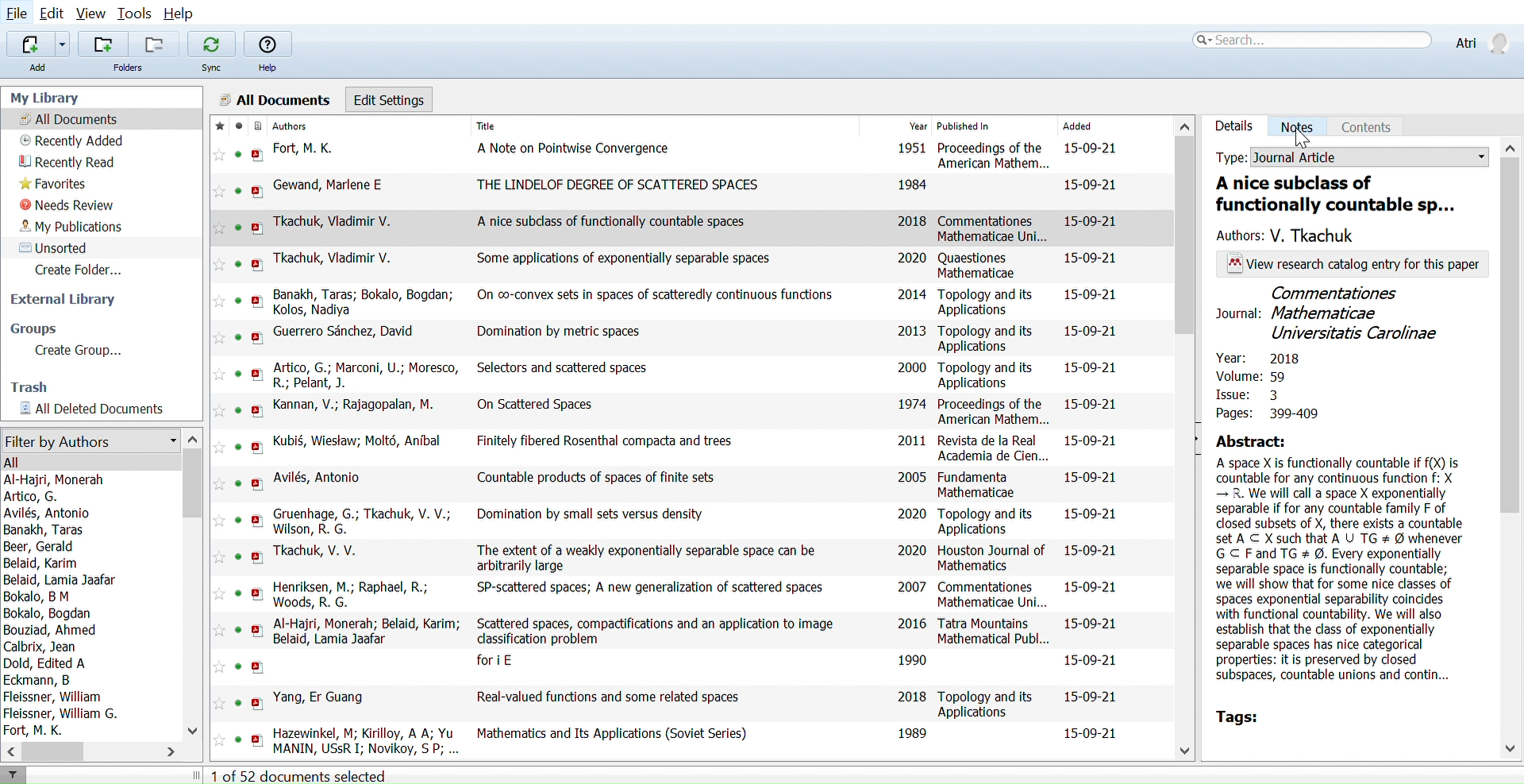 The height and width of the screenshot is (784, 1524). What do you see at coordinates (220, 263) in the screenshot?
I see `Add this reference to favorites` at bounding box center [220, 263].